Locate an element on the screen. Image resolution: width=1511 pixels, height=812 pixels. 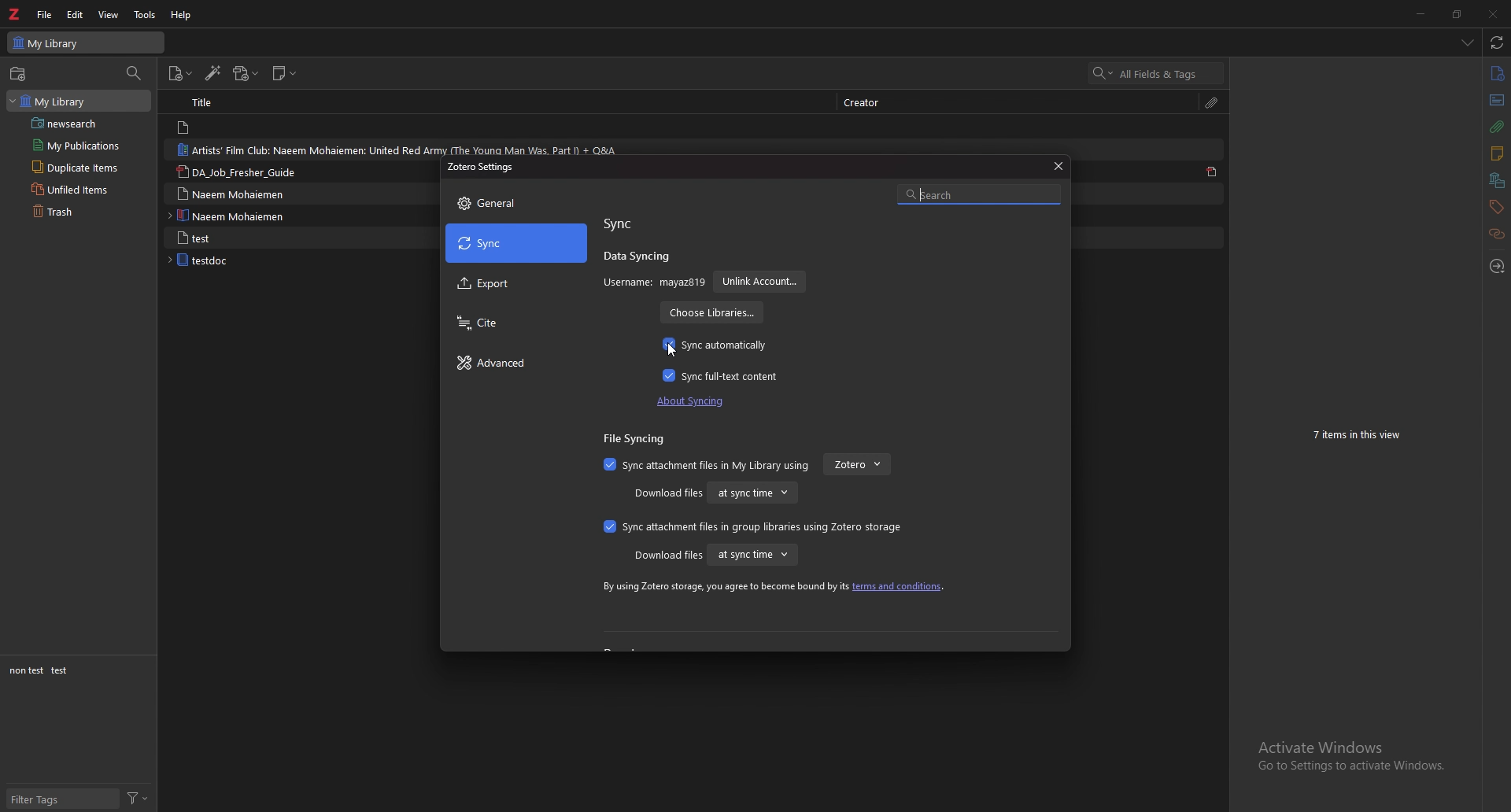
info is located at coordinates (1496, 73).